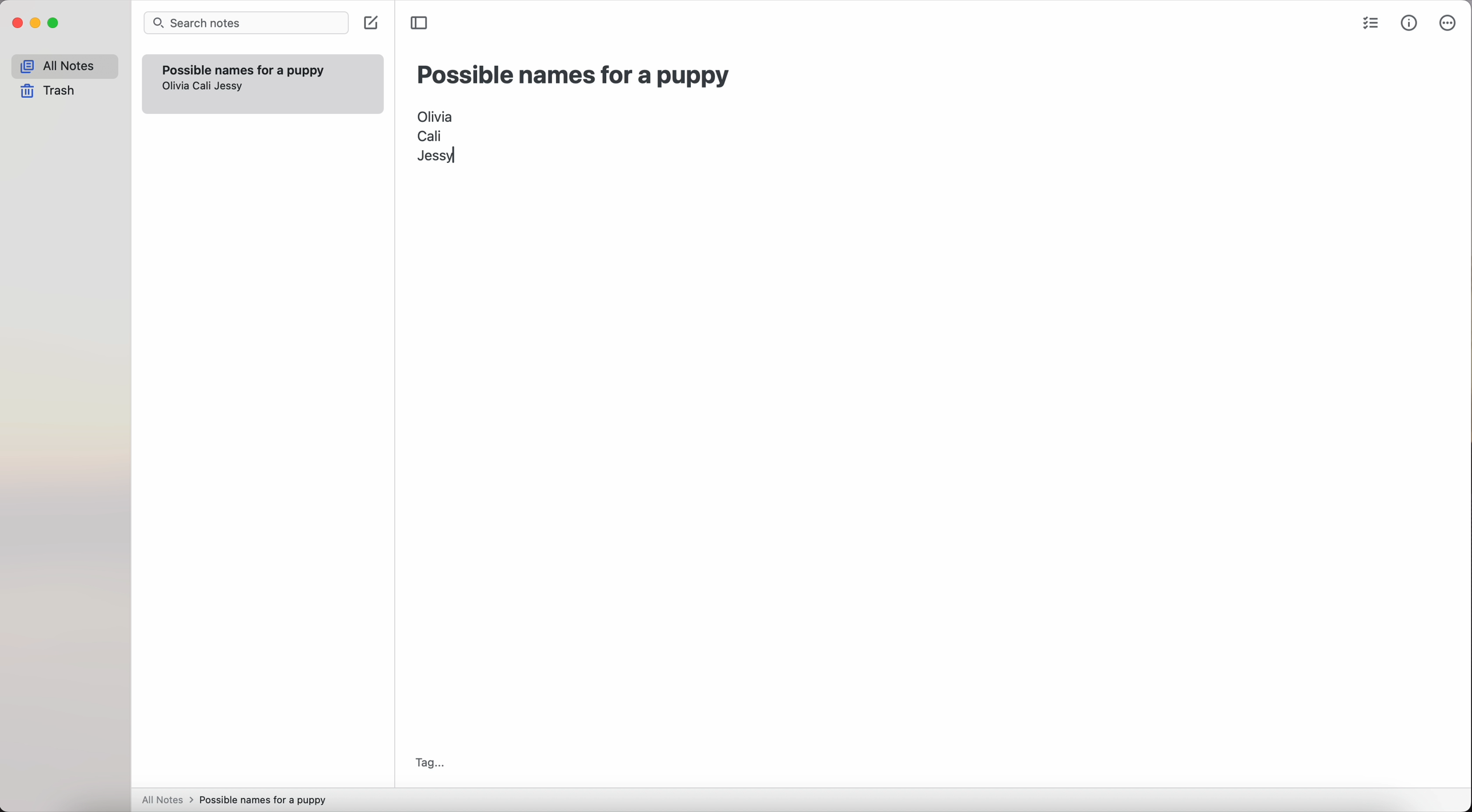 This screenshot has width=1472, height=812. Describe the element at coordinates (36, 24) in the screenshot. I see `minimize` at that location.